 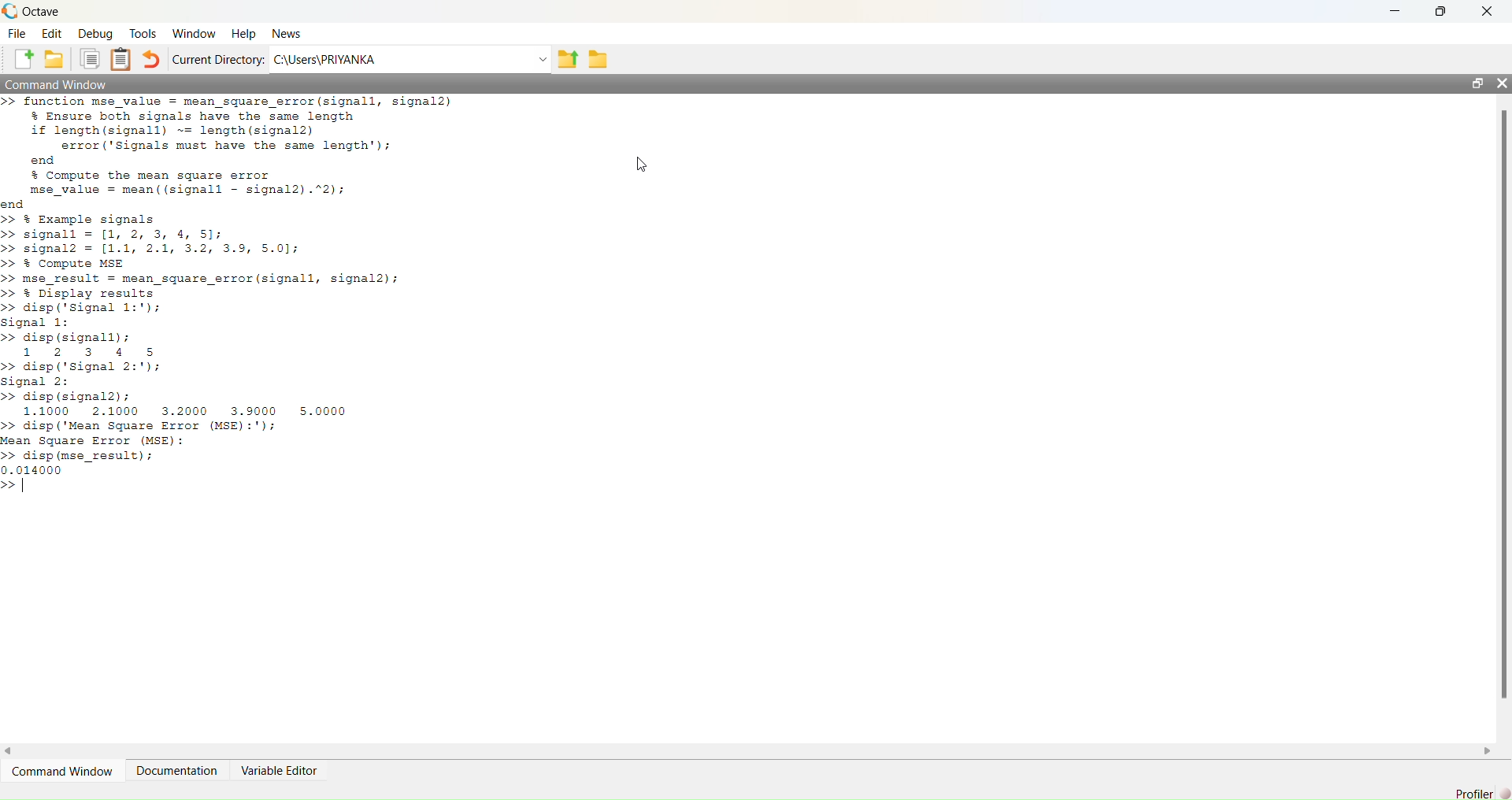 I want to click on maximise, so click(x=1443, y=11).